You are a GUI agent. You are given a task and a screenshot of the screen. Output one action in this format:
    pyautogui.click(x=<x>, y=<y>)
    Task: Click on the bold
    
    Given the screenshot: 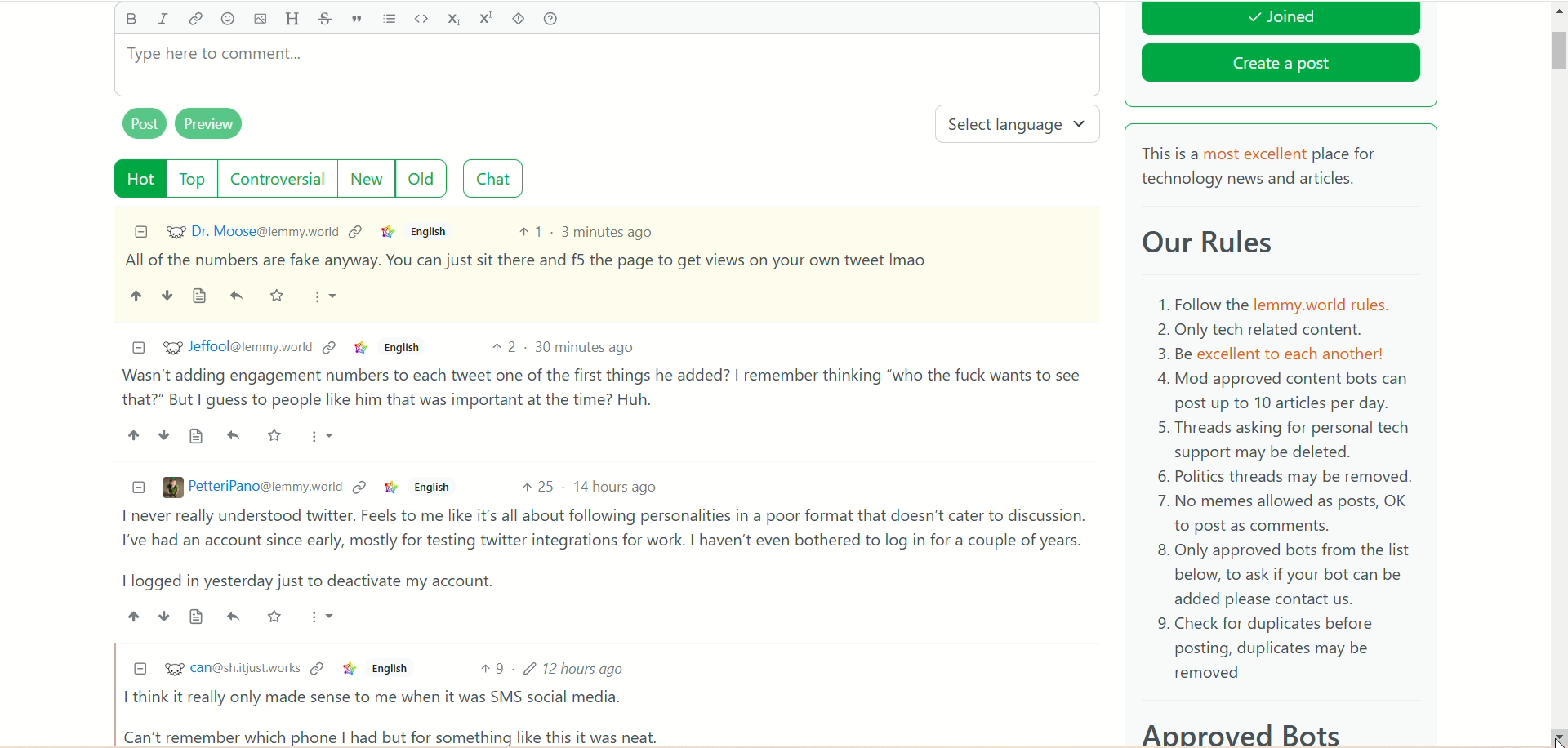 What is the action you would take?
    pyautogui.click(x=130, y=18)
    